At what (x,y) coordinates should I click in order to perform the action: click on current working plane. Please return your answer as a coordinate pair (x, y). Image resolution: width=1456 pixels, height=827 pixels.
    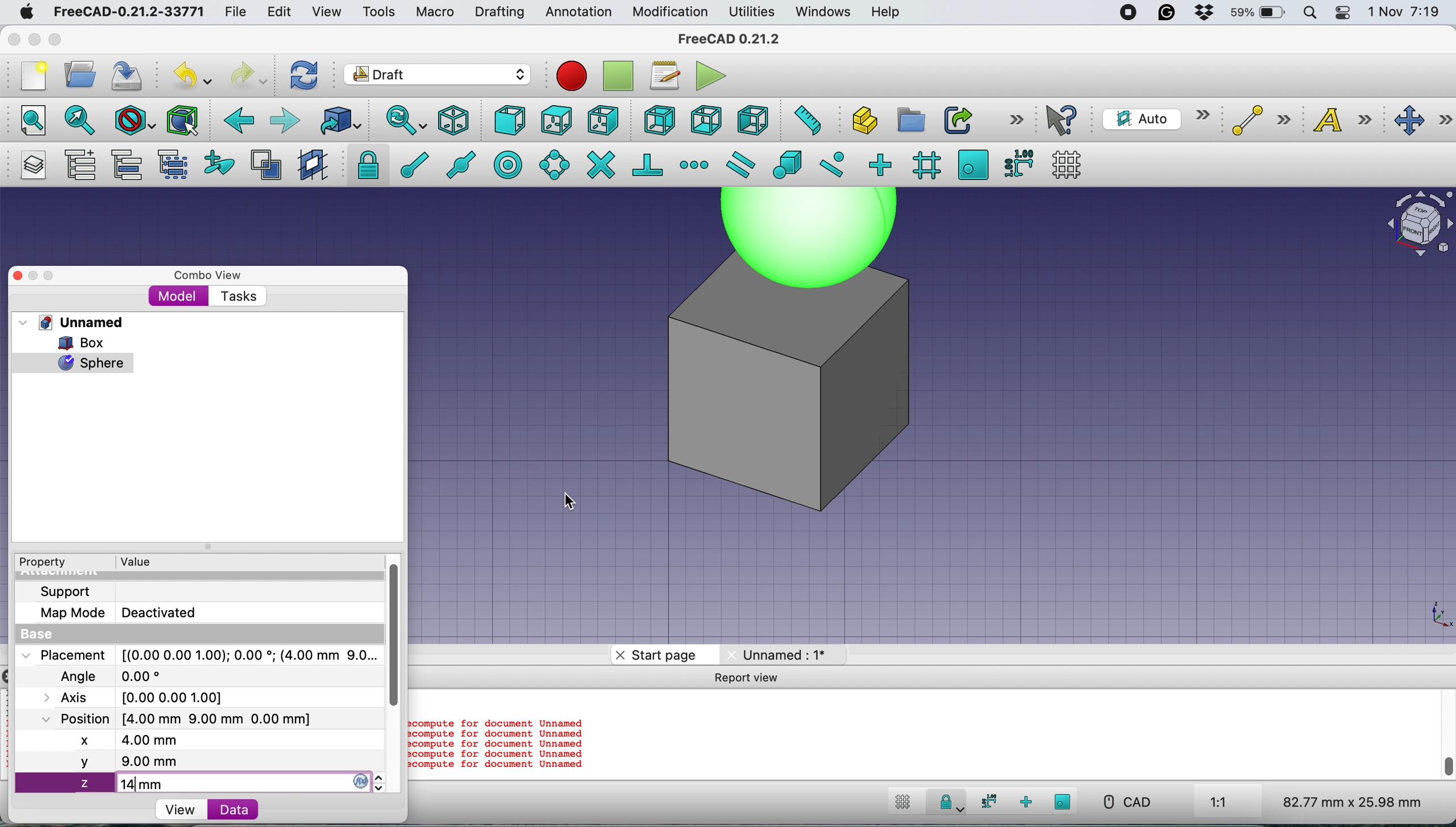
    Looking at the image, I should click on (1153, 118).